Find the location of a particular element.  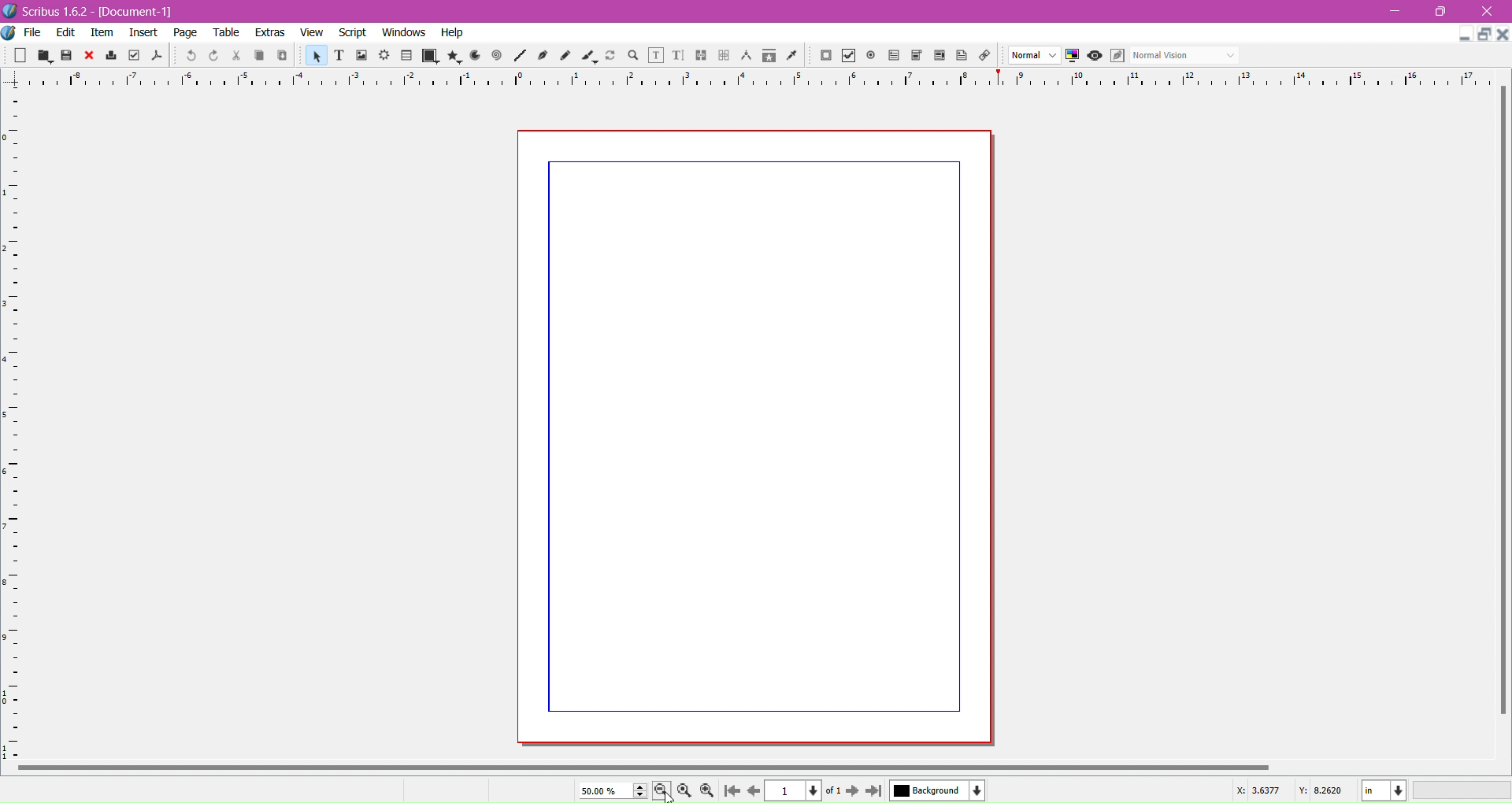

Open is located at coordinates (43, 57).